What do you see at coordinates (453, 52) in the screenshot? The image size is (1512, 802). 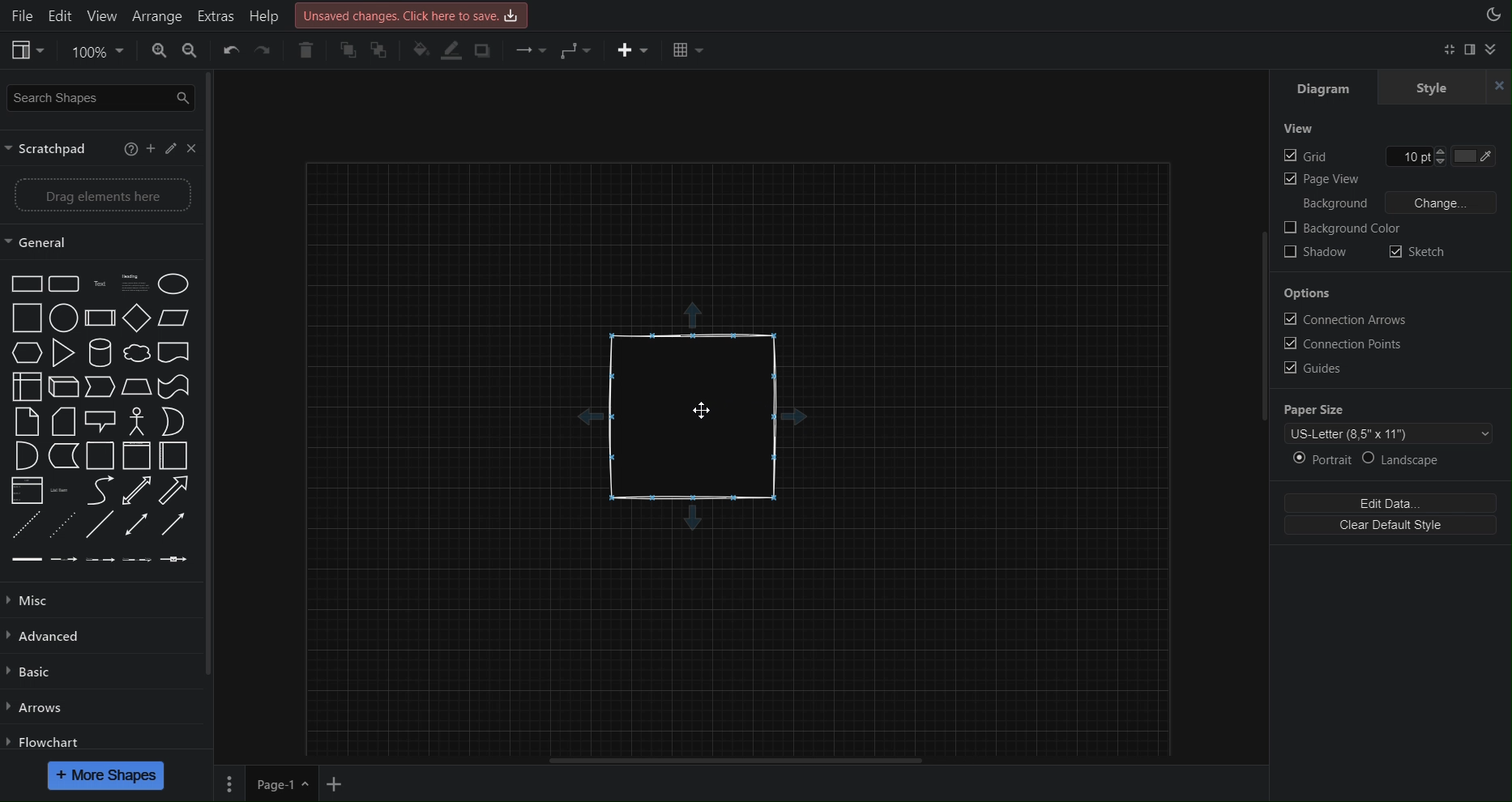 I see `Line Color` at bounding box center [453, 52].